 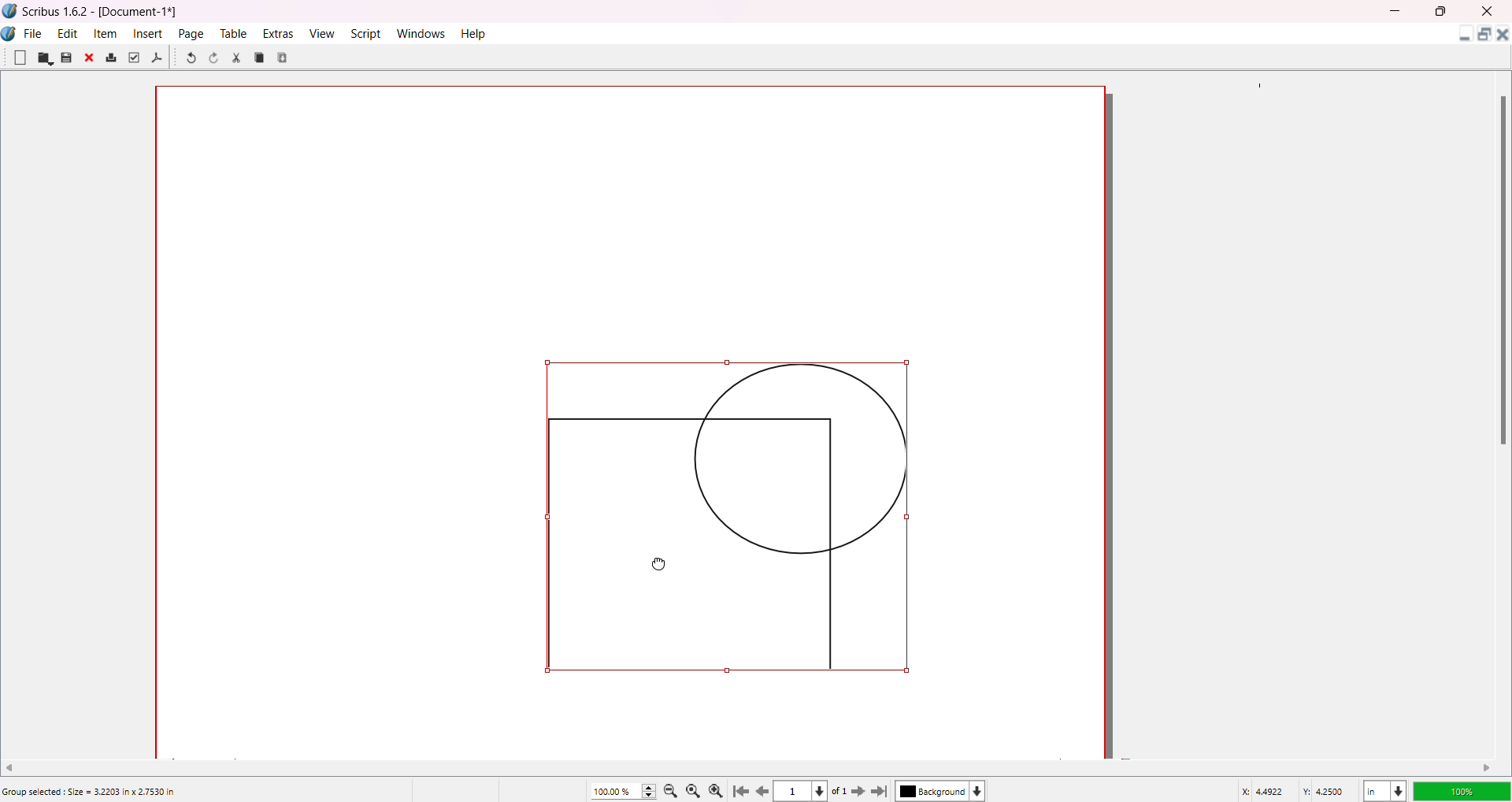 I want to click on Zoom Increase/Decrease, so click(x=651, y=789).